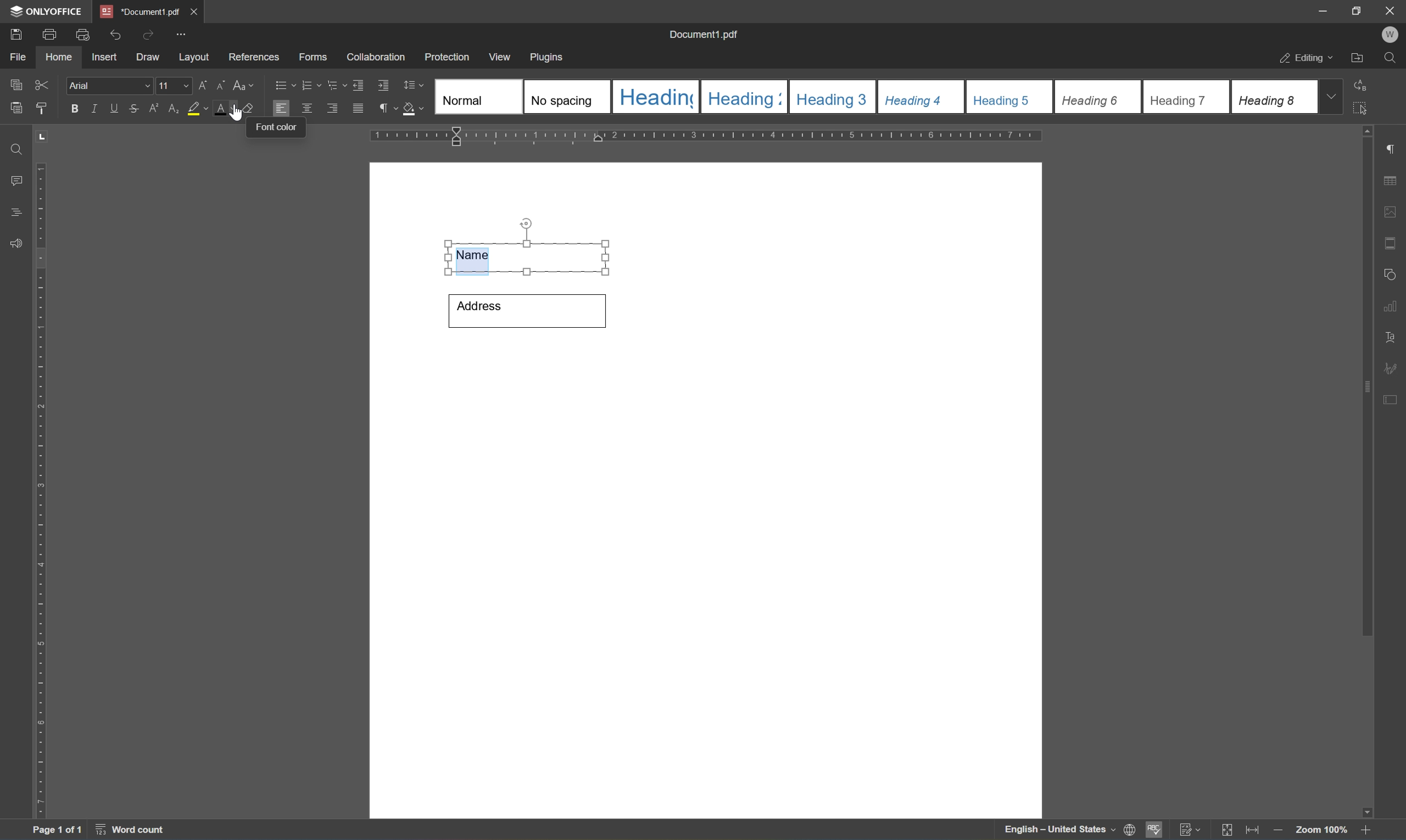  I want to click on headings, so click(18, 209).